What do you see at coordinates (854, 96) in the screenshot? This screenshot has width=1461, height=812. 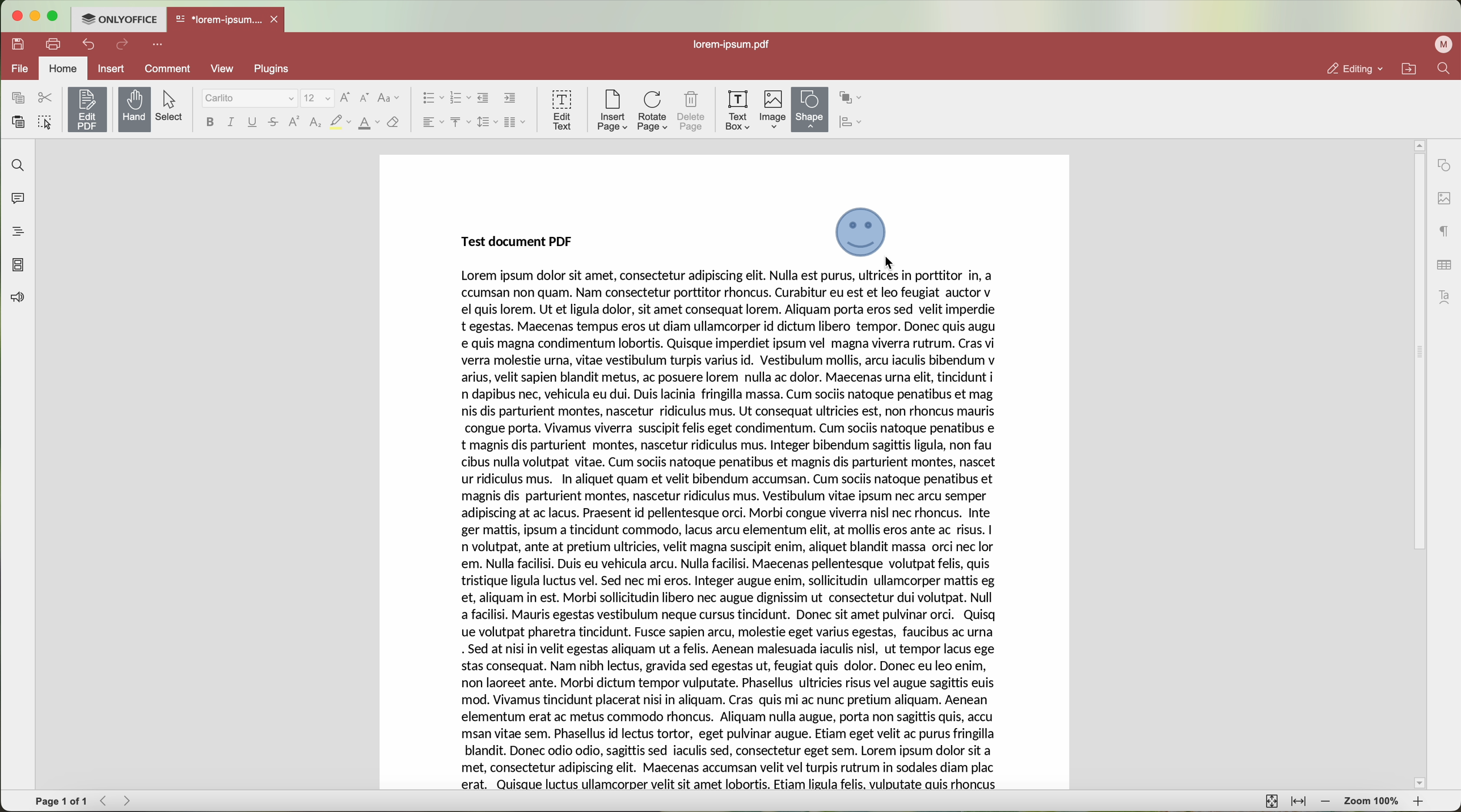 I see `arrange shape` at bounding box center [854, 96].